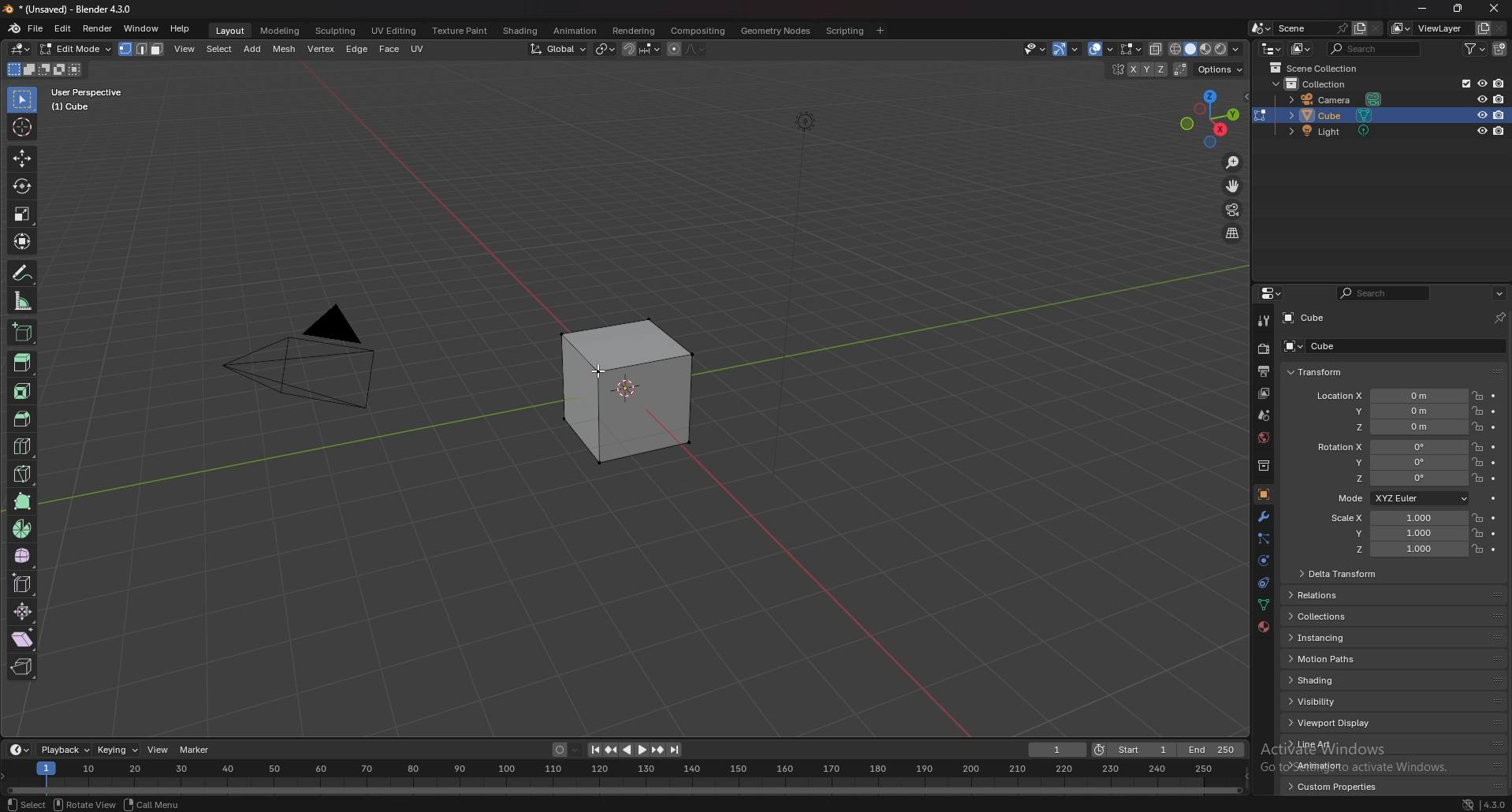 This screenshot has width=1512, height=812. I want to click on face, so click(387, 50).